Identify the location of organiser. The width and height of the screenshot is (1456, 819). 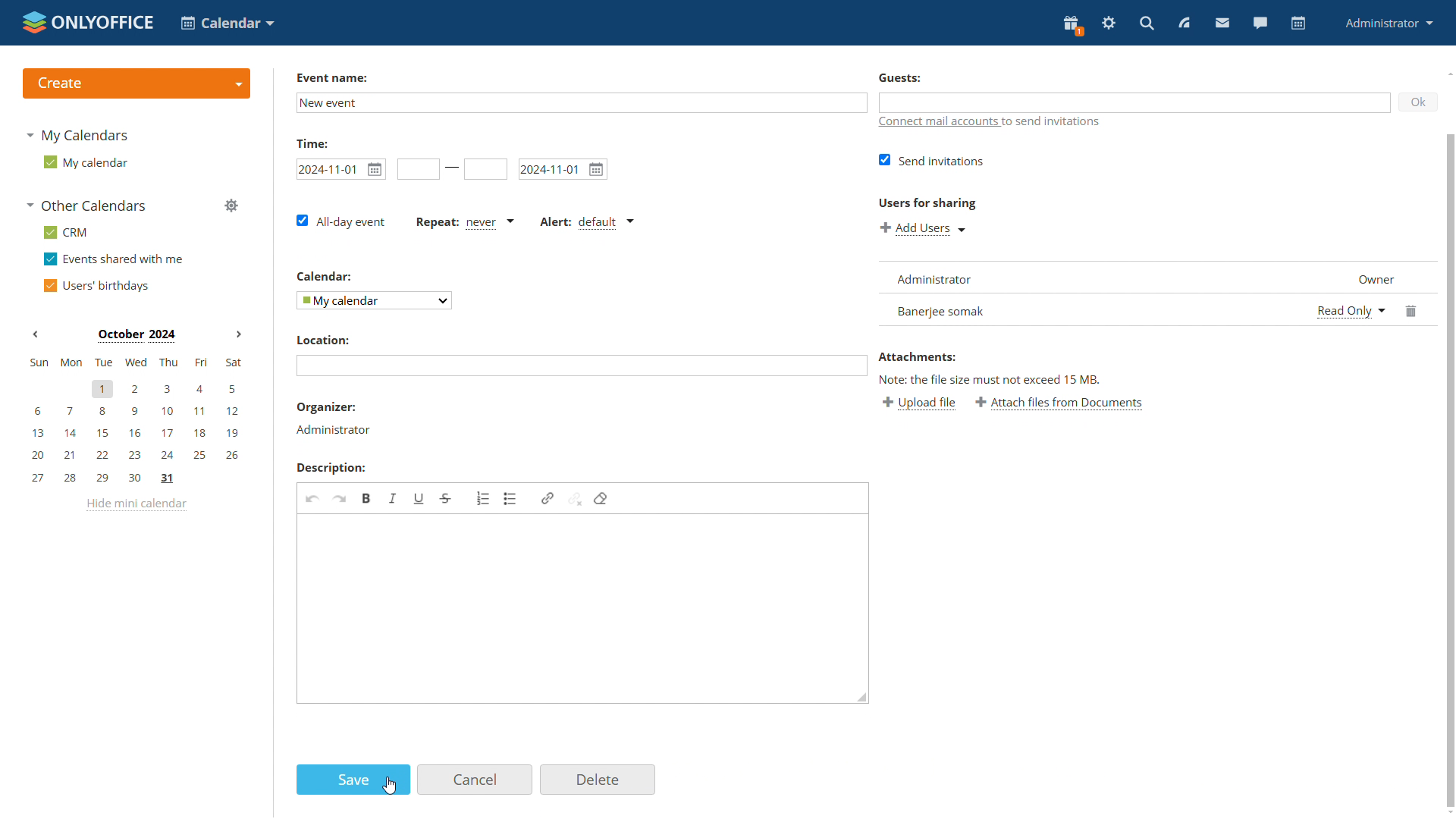
(328, 407).